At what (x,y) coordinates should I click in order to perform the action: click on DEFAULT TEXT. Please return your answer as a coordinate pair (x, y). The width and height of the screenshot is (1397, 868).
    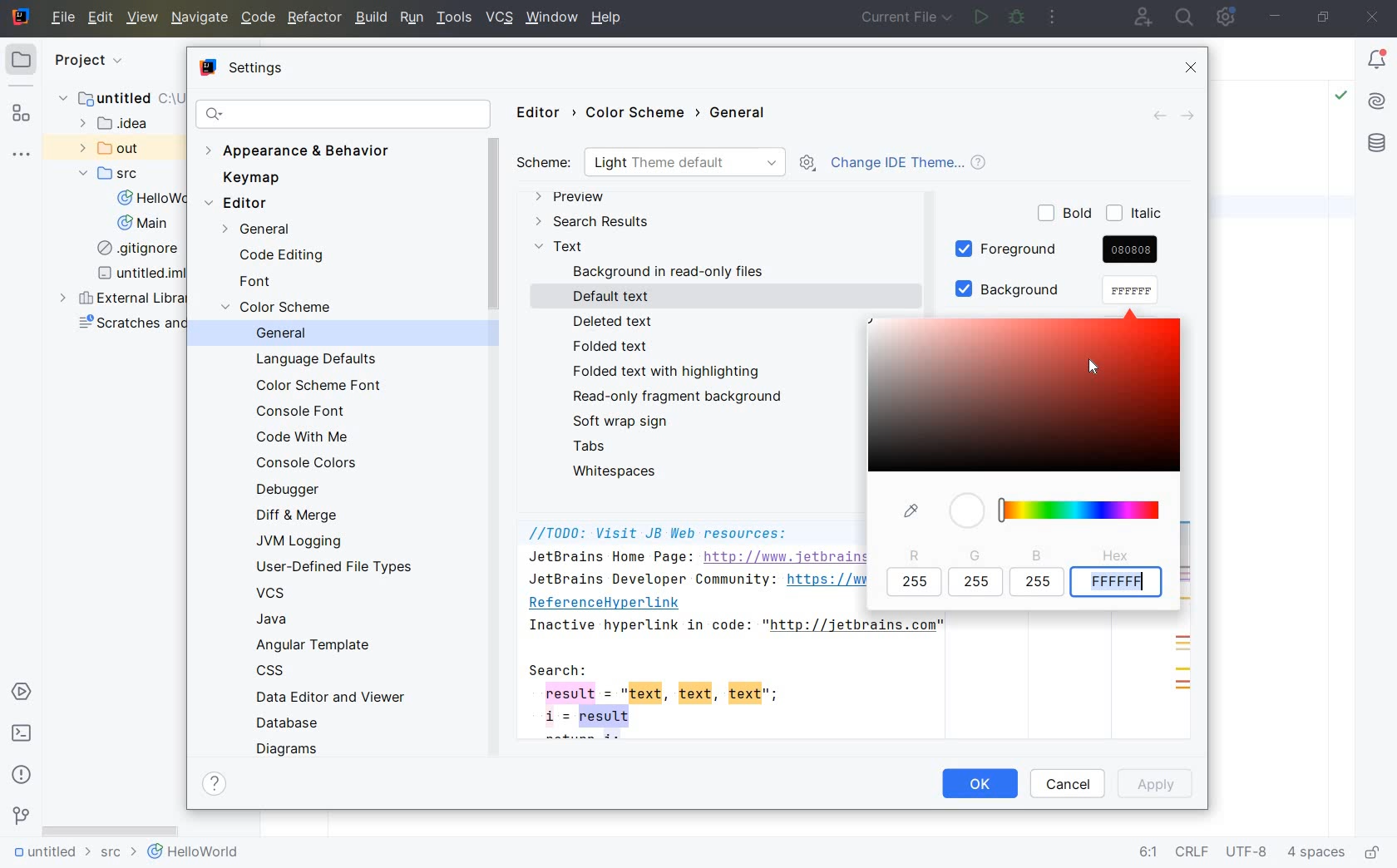
    Looking at the image, I should click on (615, 297).